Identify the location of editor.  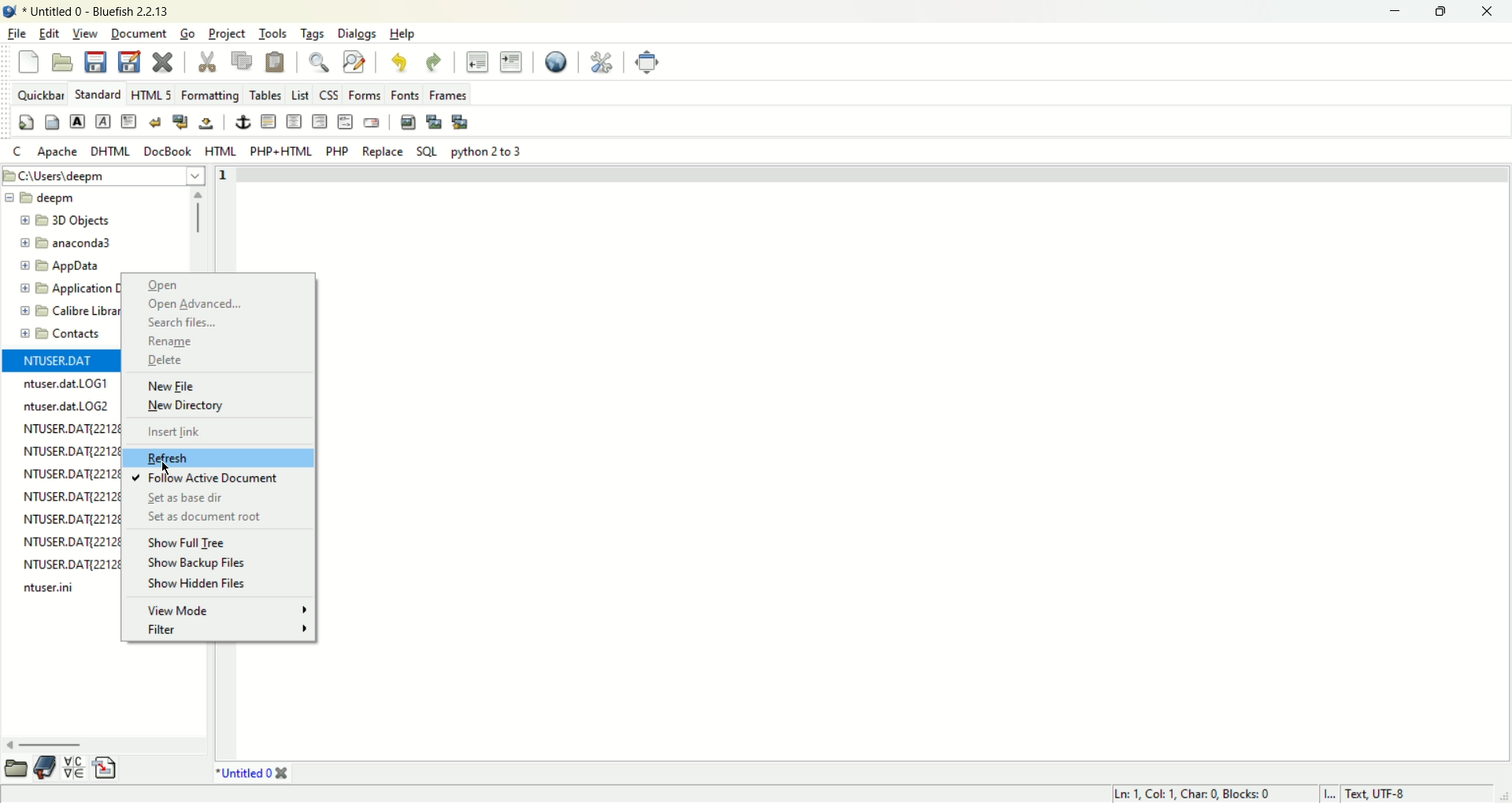
(917, 461).